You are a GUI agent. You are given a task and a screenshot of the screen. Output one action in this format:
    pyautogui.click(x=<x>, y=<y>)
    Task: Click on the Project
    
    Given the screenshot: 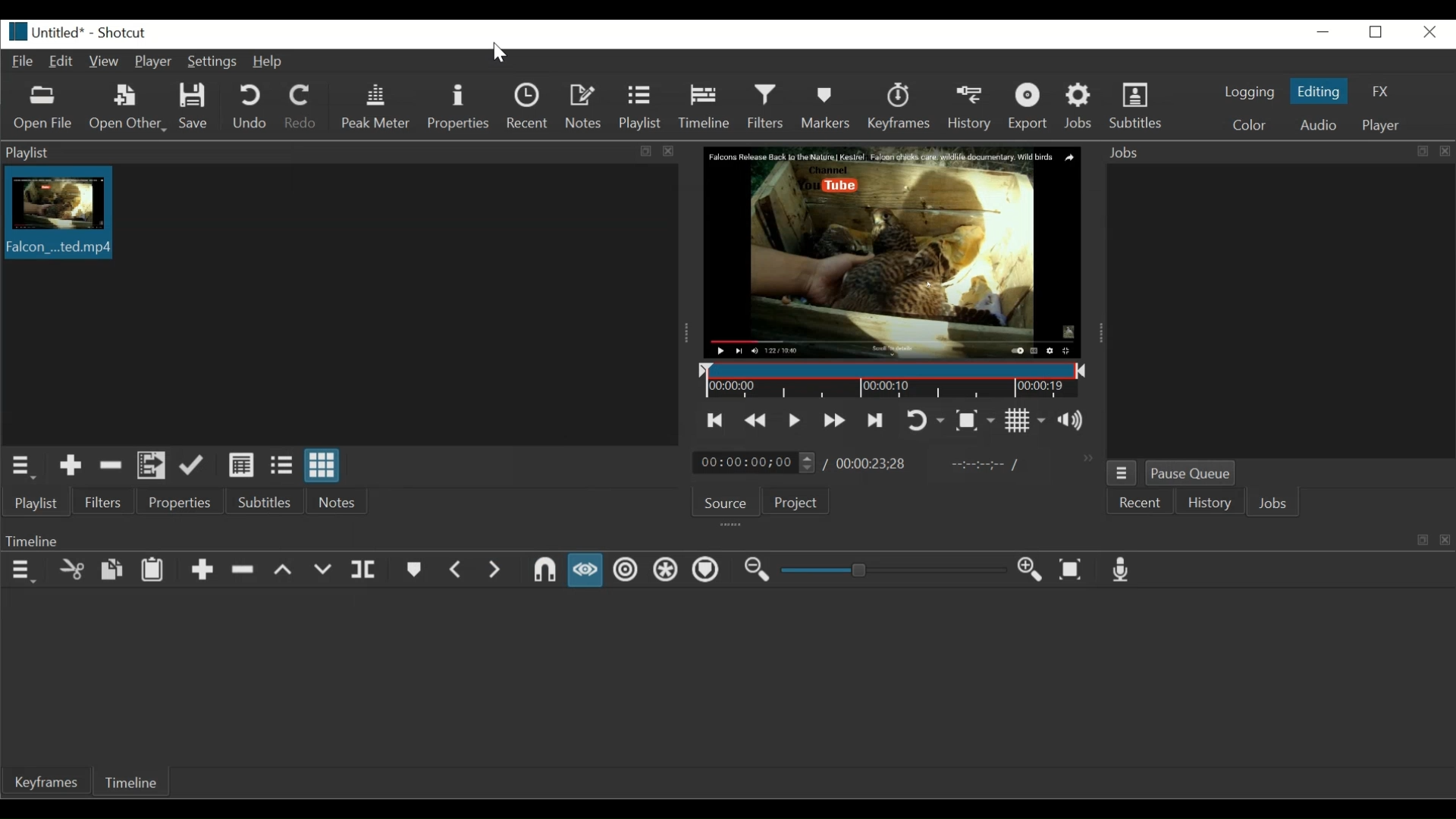 What is the action you would take?
    pyautogui.click(x=794, y=500)
    